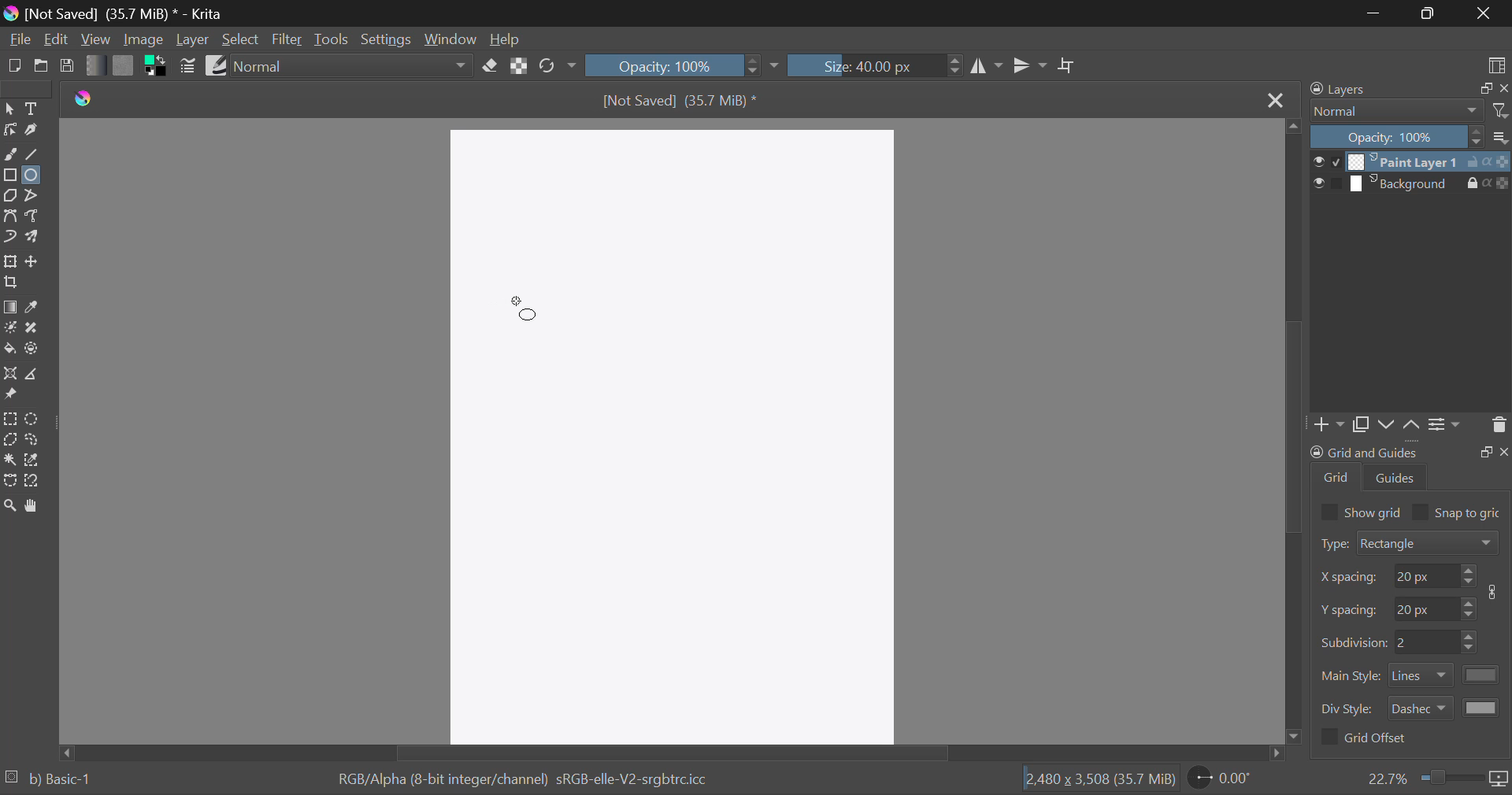  Describe the element at coordinates (1410, 173) in the screenshot. I see `Layers` at that location.